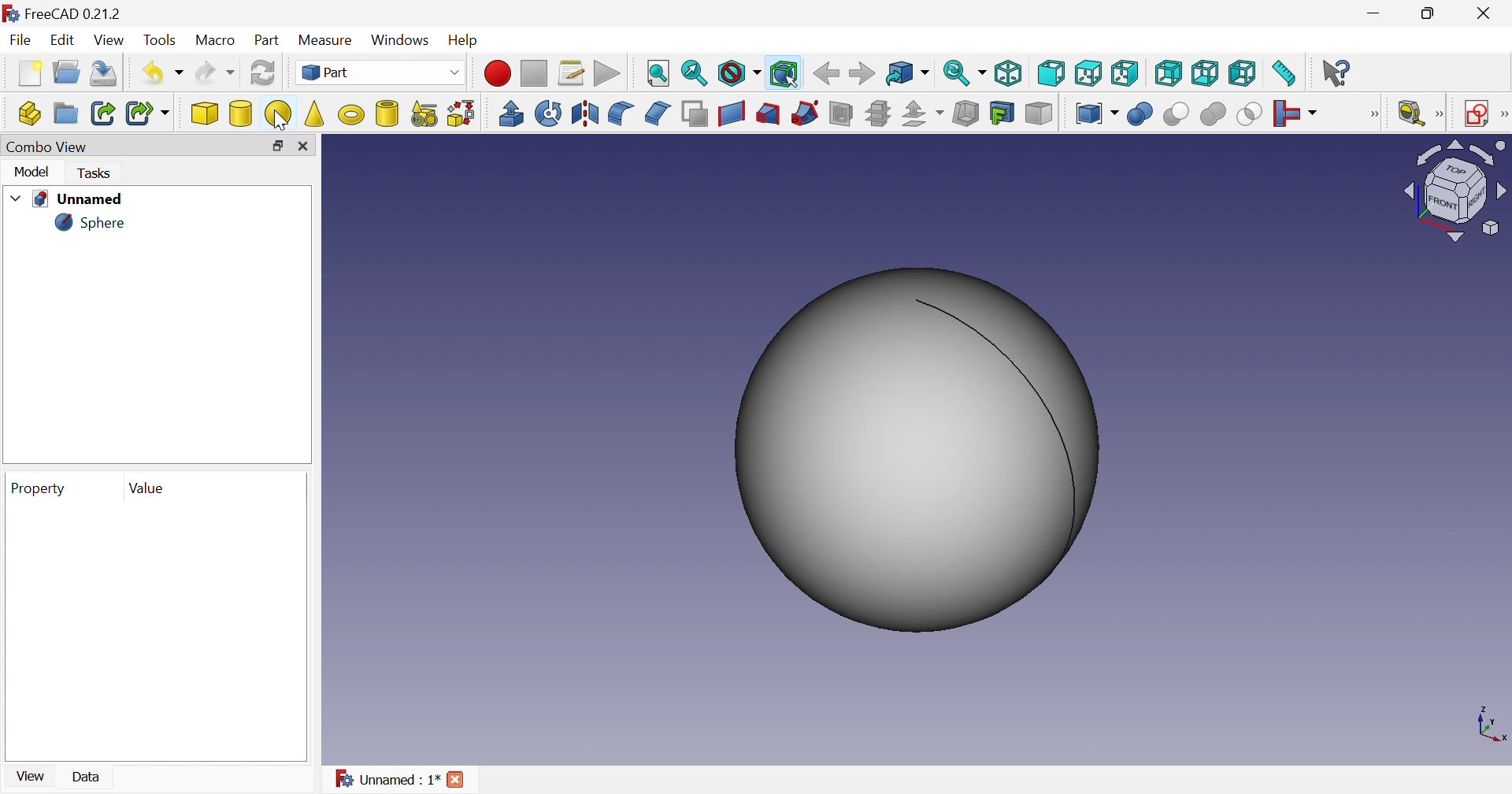 Image resolution: width=1512 pixels, height=794 pixels. I want to click on Open, so click(67, 72).